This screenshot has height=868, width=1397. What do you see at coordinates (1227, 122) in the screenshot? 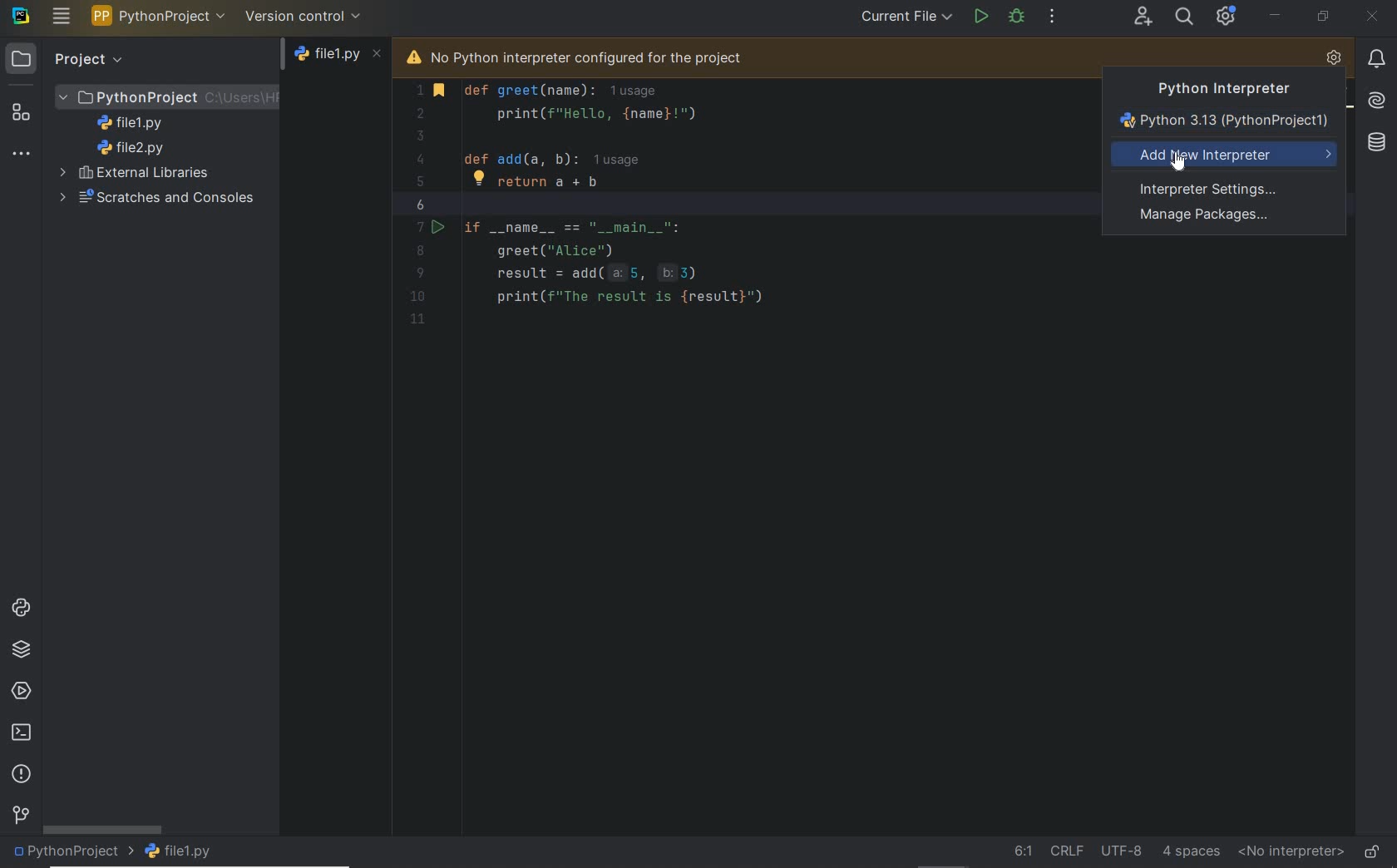
I see `Python 3.13` at bounding box center [1227, 122].